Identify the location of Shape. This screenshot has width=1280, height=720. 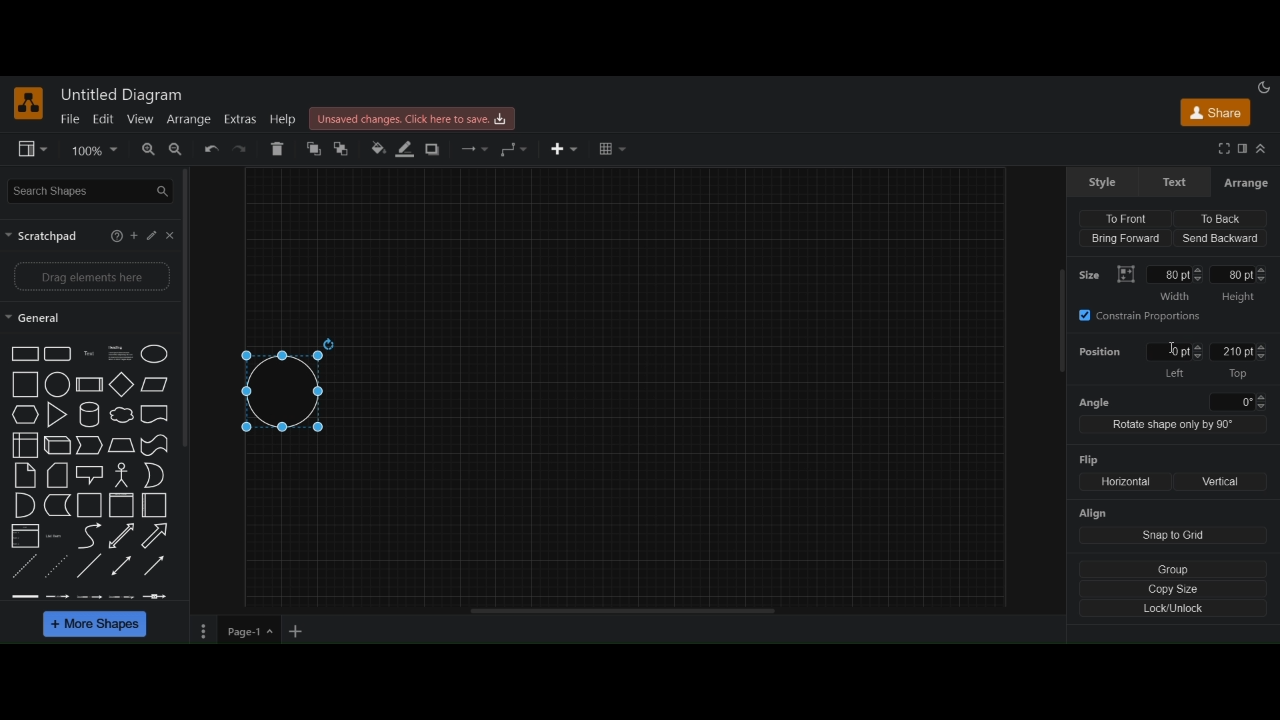
(25, 446).